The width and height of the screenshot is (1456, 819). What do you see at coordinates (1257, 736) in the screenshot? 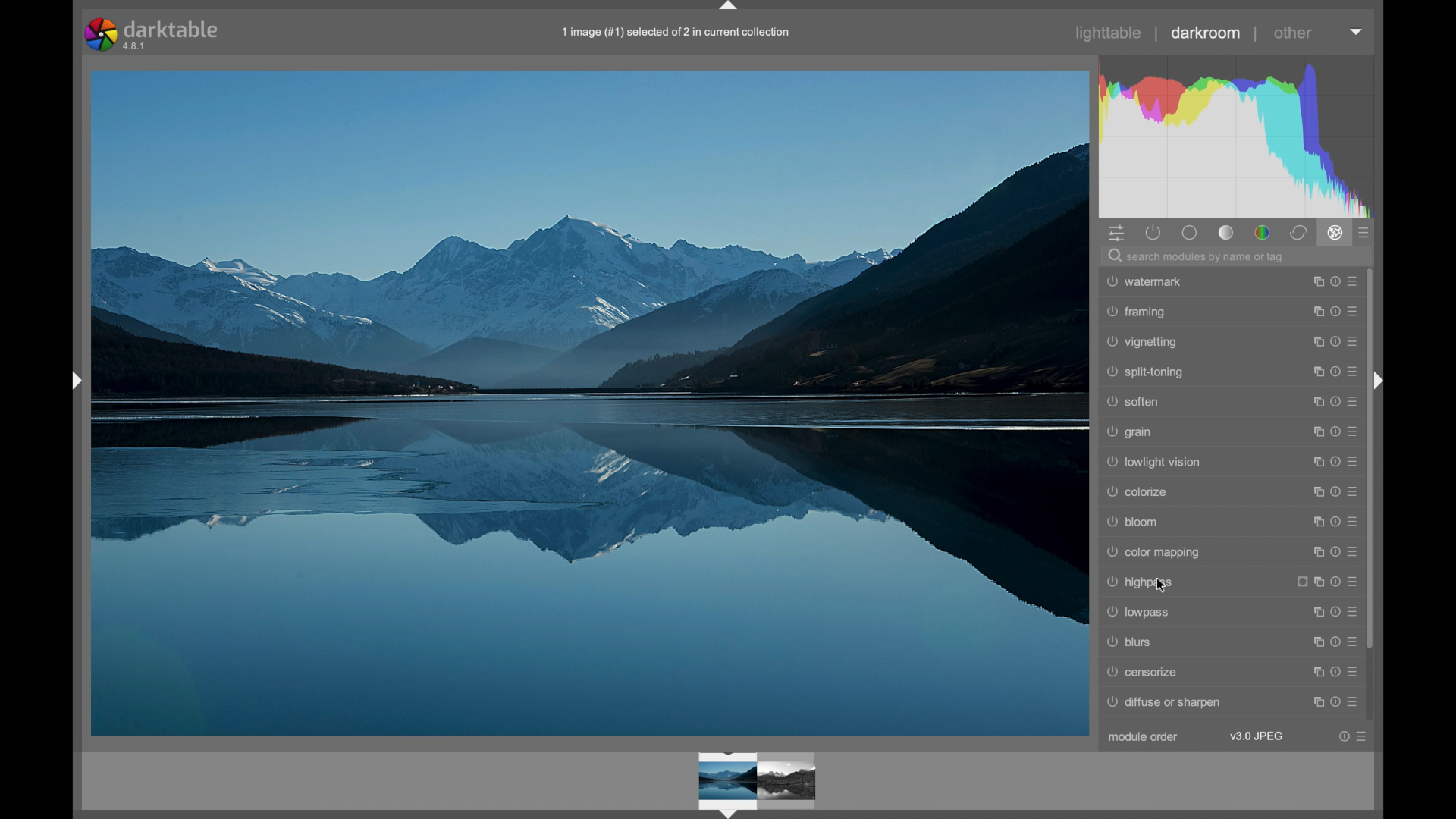
I see `v3.0 jpeg` at bounding box center [1257, 736].